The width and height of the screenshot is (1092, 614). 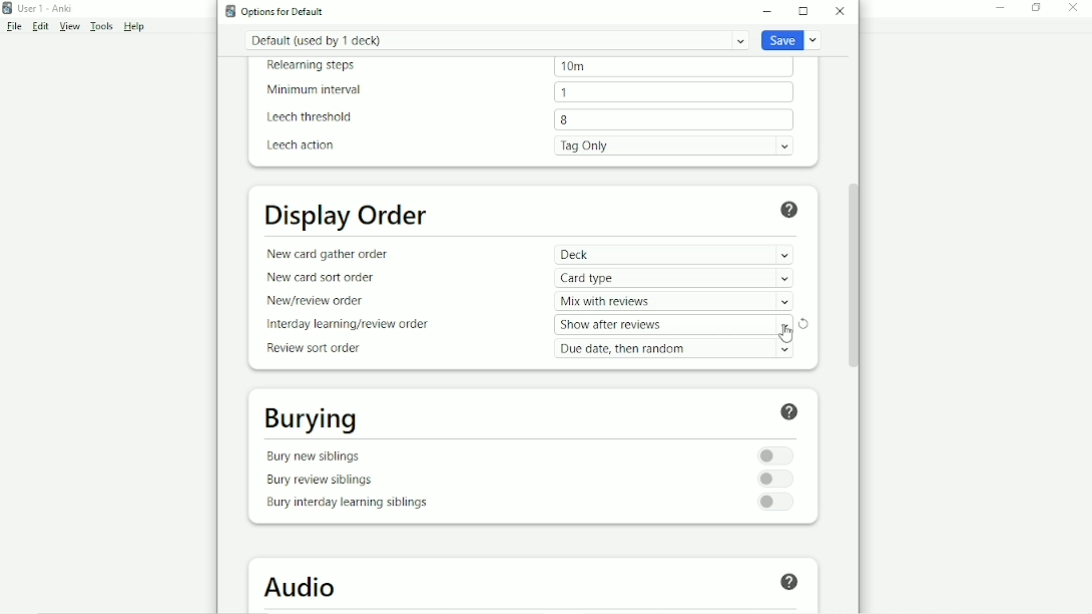 What do you see at coordinates (1072, 9) in the screenshot?
I see `Close` at bounding box center [1072, 9].